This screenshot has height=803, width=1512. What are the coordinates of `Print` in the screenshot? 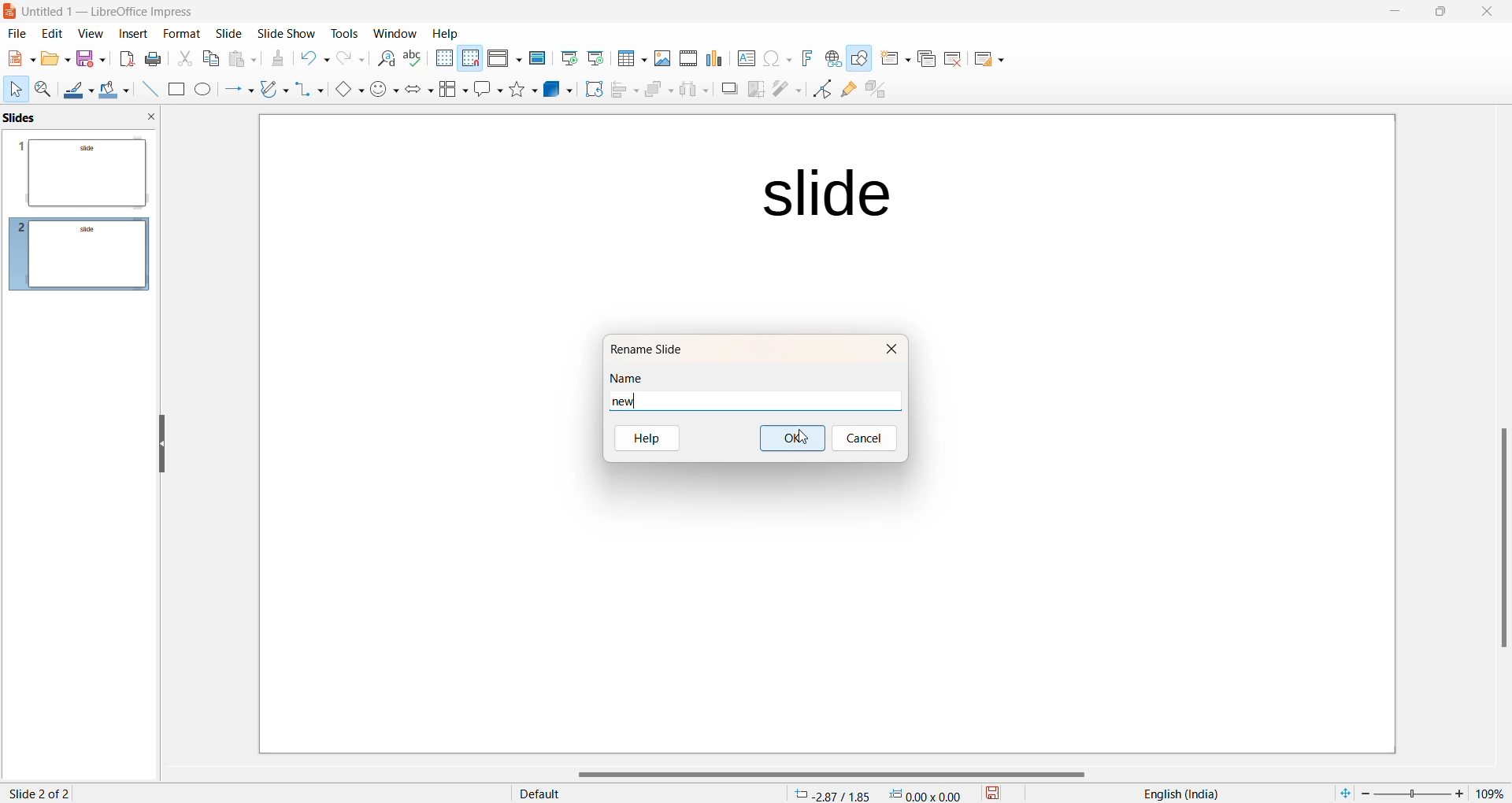 It's located at (155, 58).